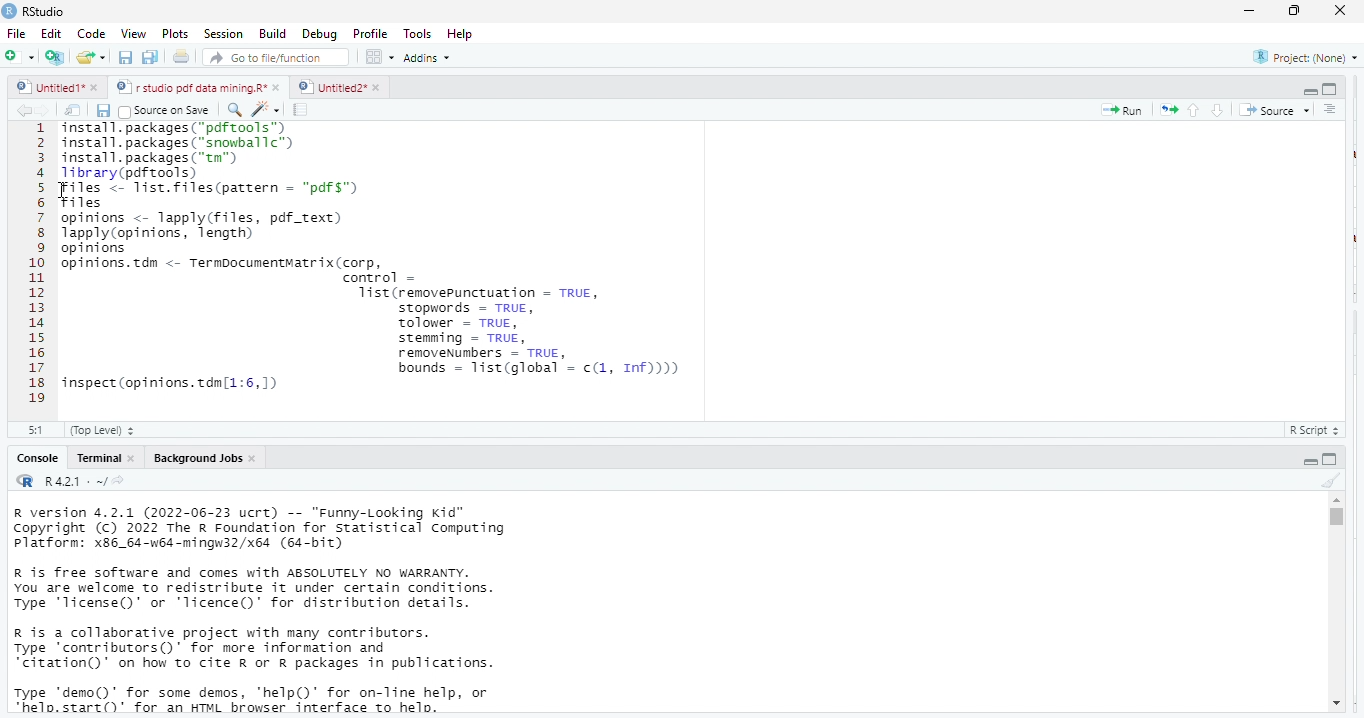 This screenshot has width=1364, height=718. What do you see at coordinates (193, 458) in the screenshot?
I see `background jobs` at bounding box center [193, 458].